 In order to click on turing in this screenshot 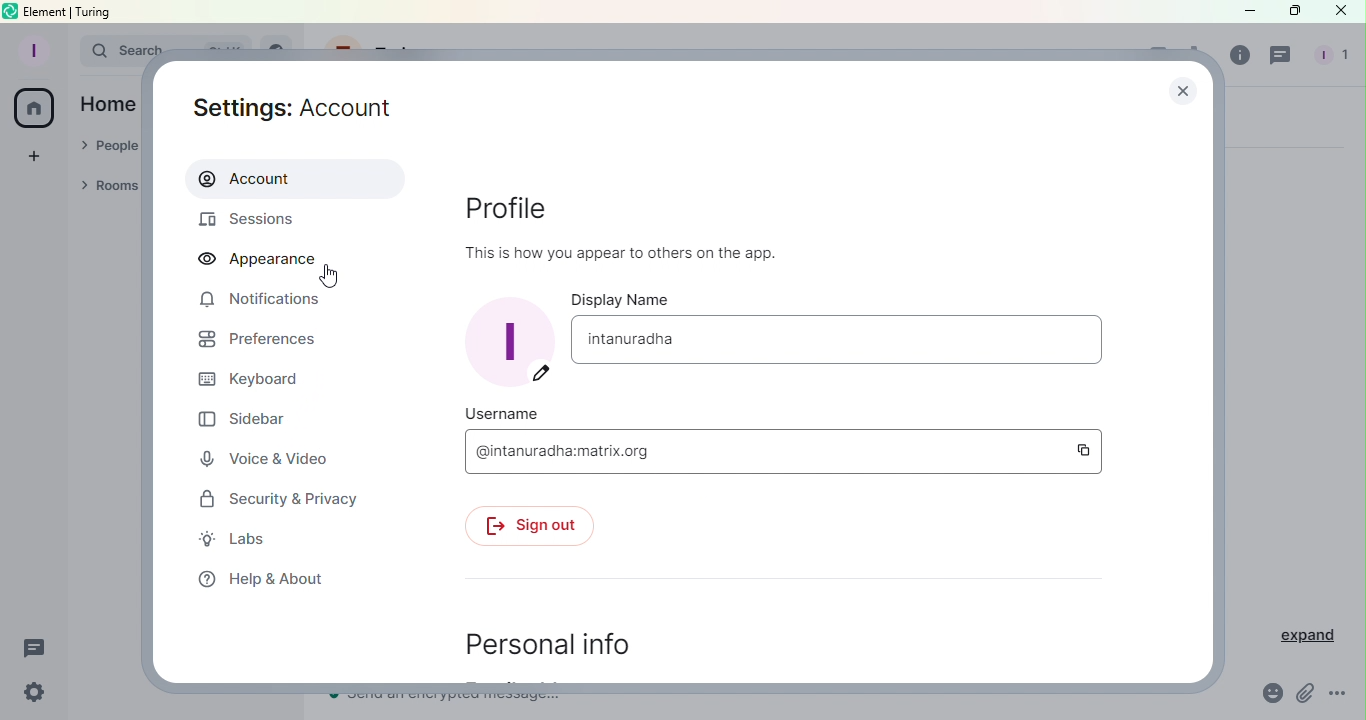, I will do `click(94, 11)`.